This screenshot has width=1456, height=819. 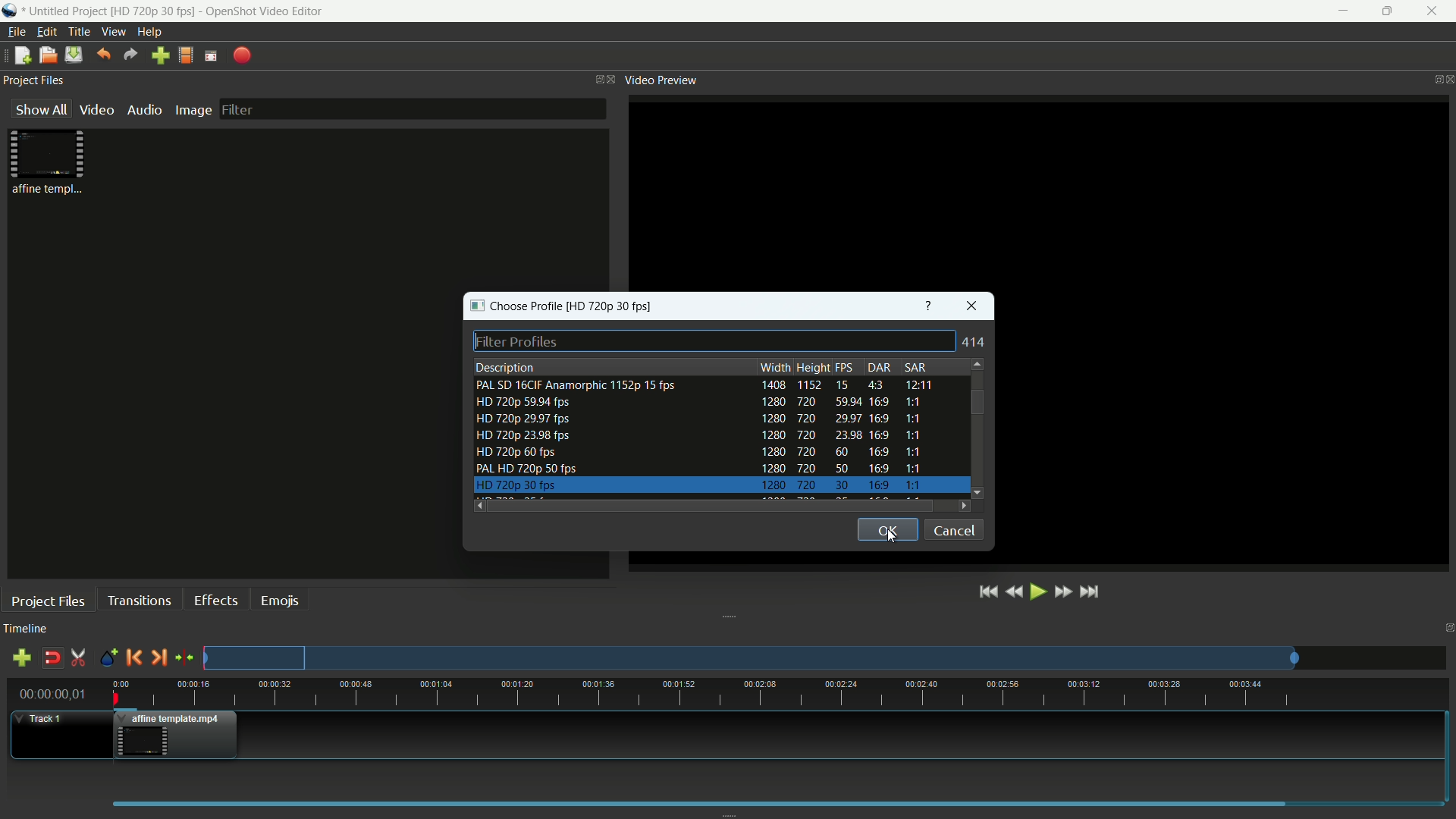 What do you see at coordinates (79, 657) in the screenshot?
I see `enable razor` at bounding box center [79, 657].